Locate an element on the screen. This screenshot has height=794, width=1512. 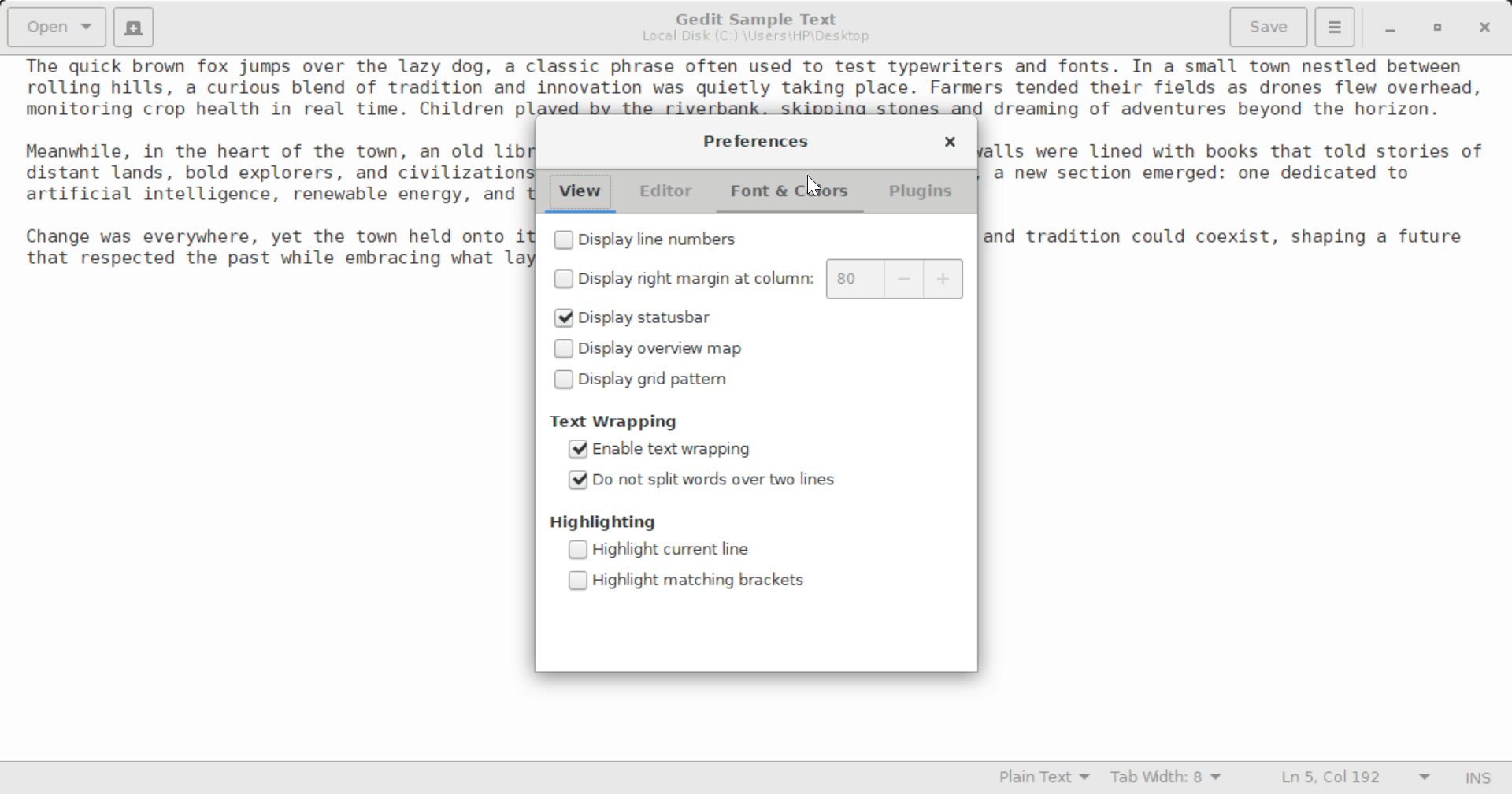
Insert Mode is located at coordinates (1475, 778).